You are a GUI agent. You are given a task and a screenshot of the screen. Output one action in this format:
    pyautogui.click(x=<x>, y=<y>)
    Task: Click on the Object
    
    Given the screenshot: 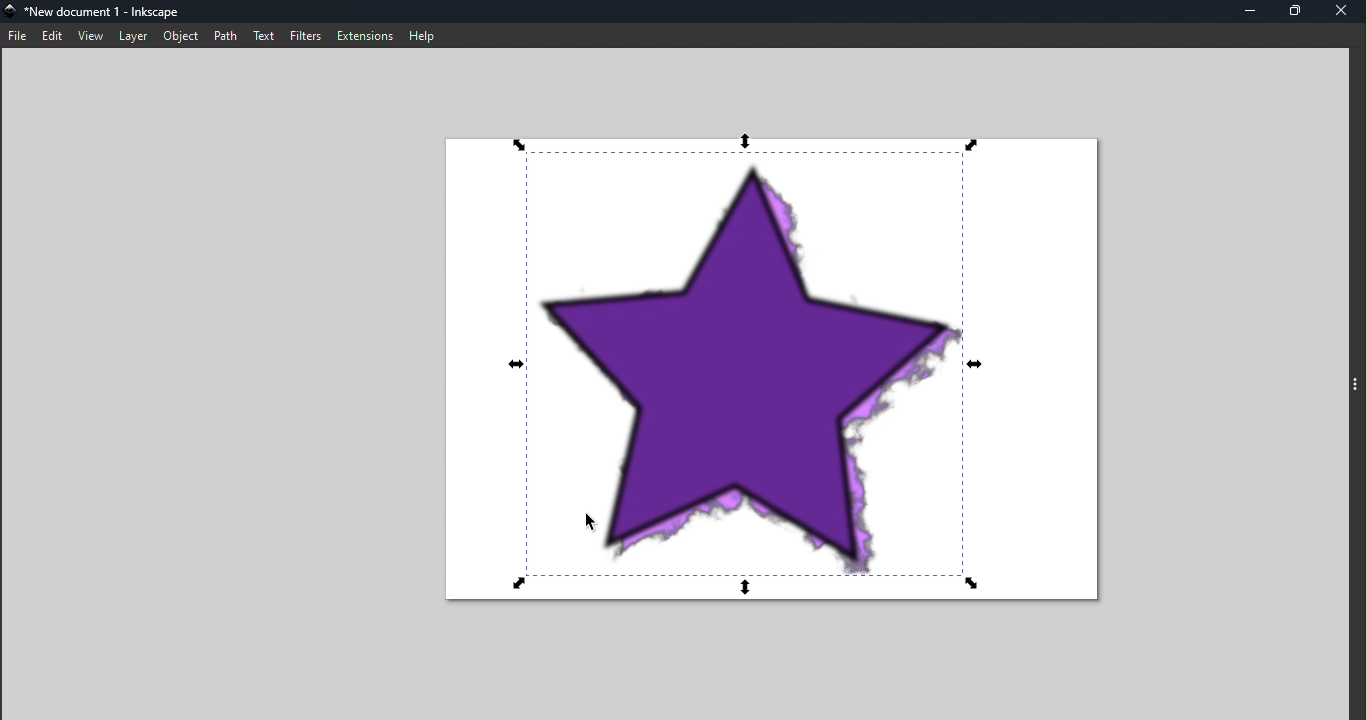 What is the action you would take?
    pyautogui.click(x=179, y=35)
    